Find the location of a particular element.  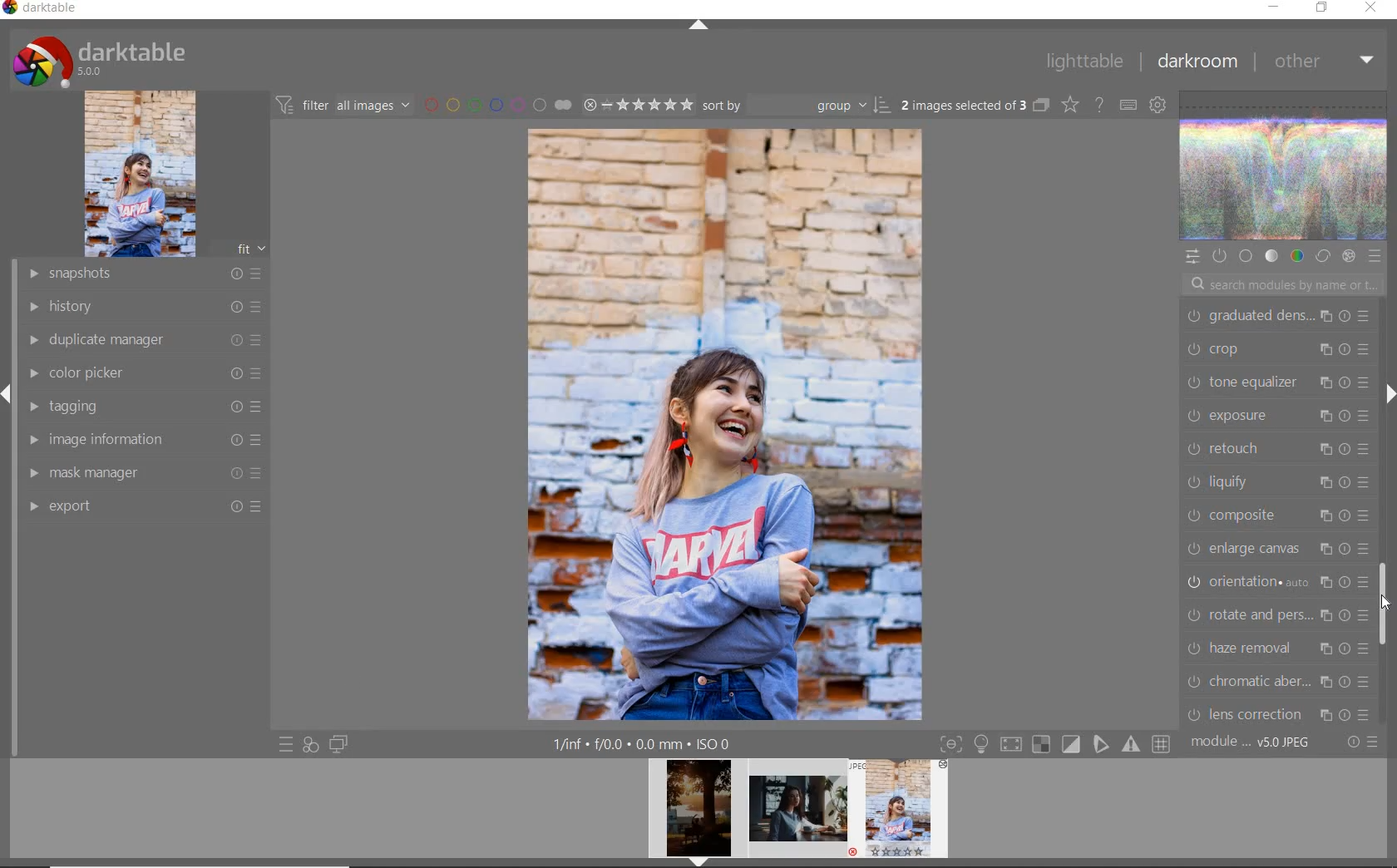

snapshots is located at coordinates (143, 274).